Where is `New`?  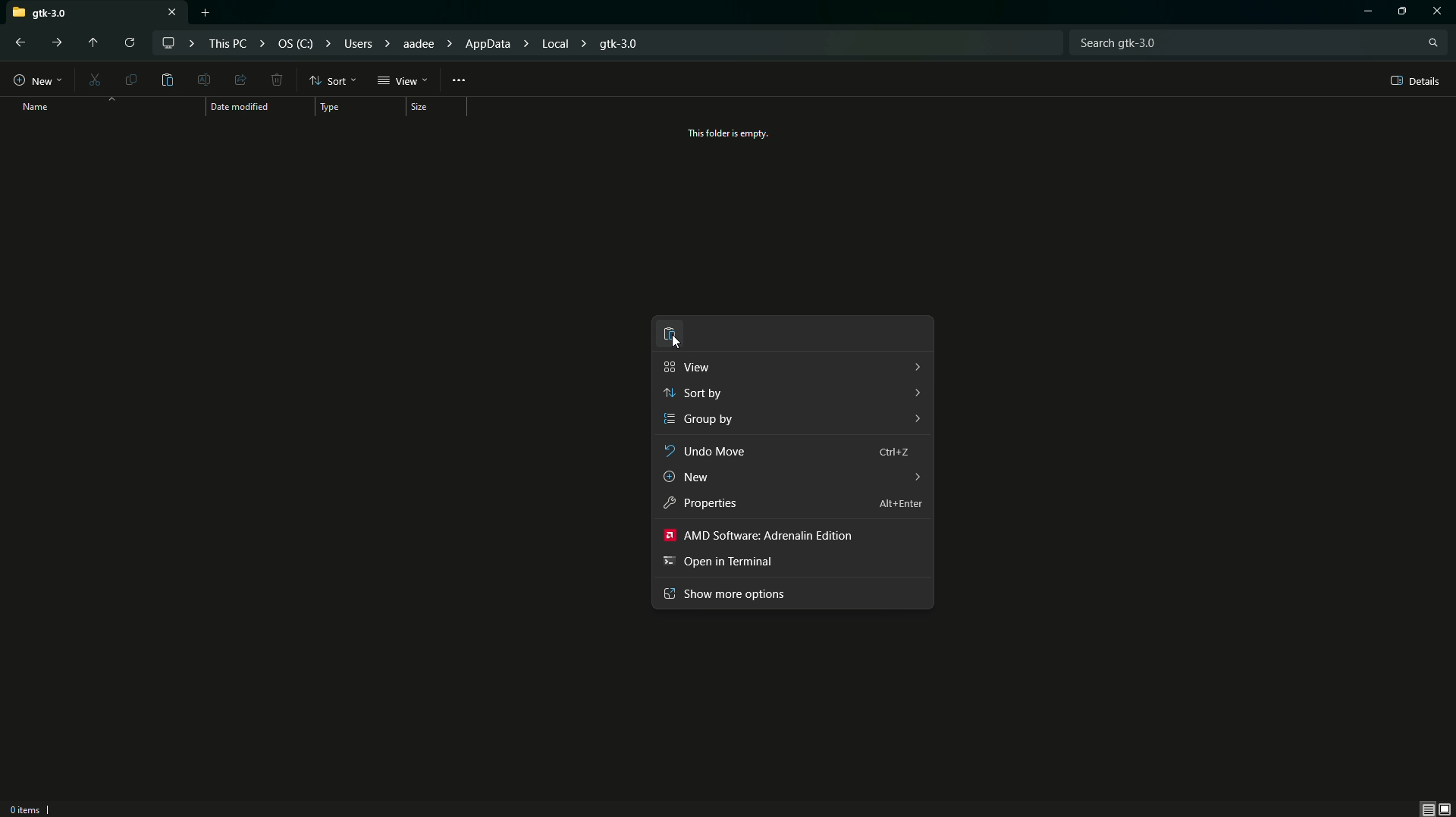 New is located at coordinates (36, 78).